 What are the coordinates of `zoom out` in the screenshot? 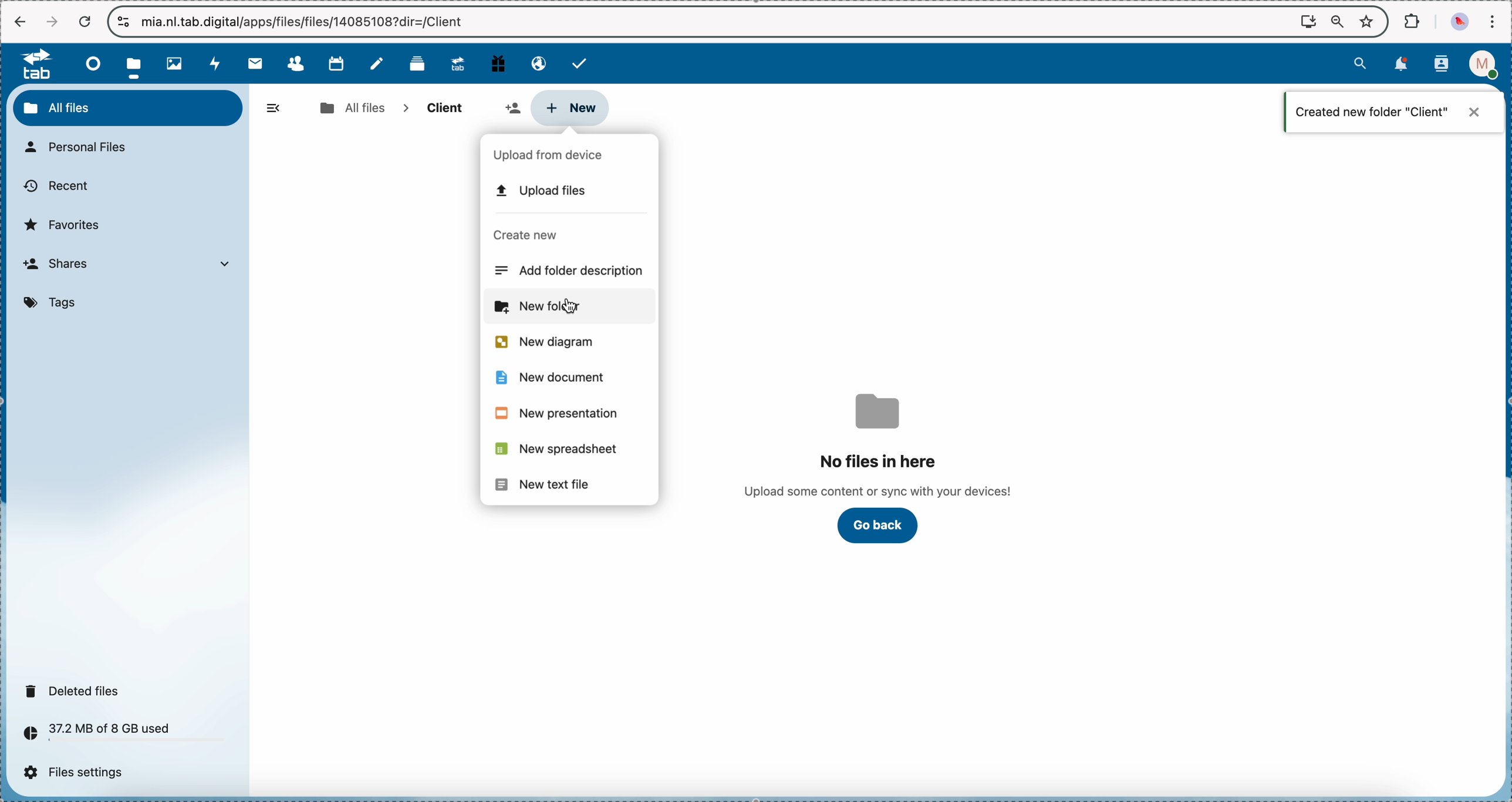 It's located at (1338, 22).